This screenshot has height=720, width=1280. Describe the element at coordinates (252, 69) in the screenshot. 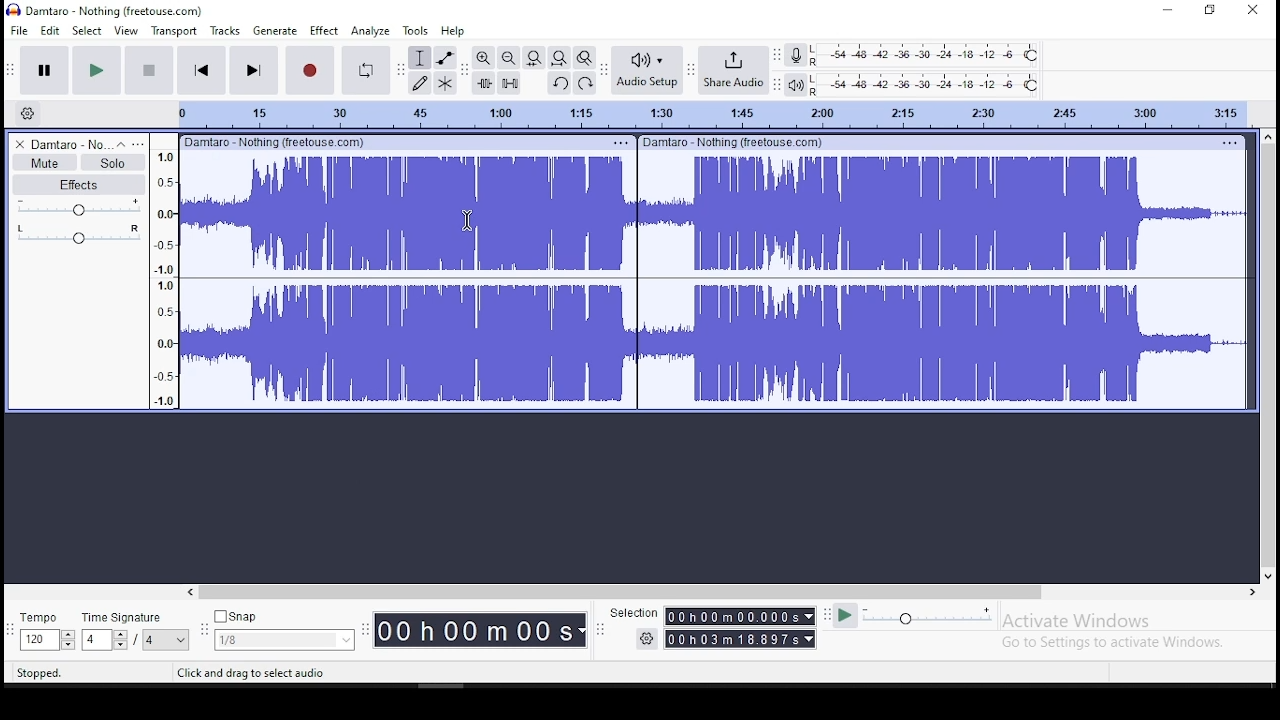

I see `skip to end` at that location.